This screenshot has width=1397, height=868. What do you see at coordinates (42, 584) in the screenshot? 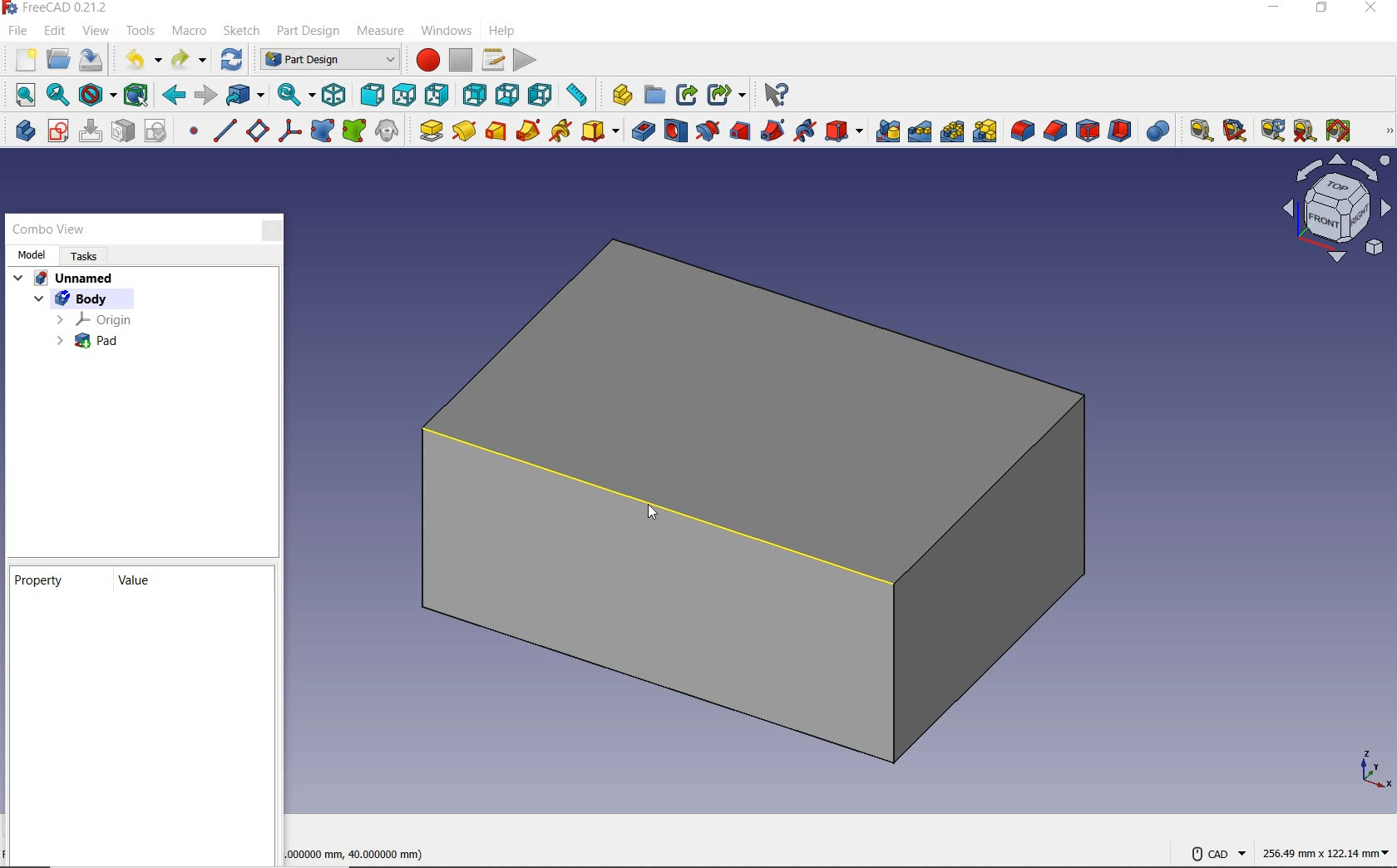
I see `property` at bounding box center [42, 584].